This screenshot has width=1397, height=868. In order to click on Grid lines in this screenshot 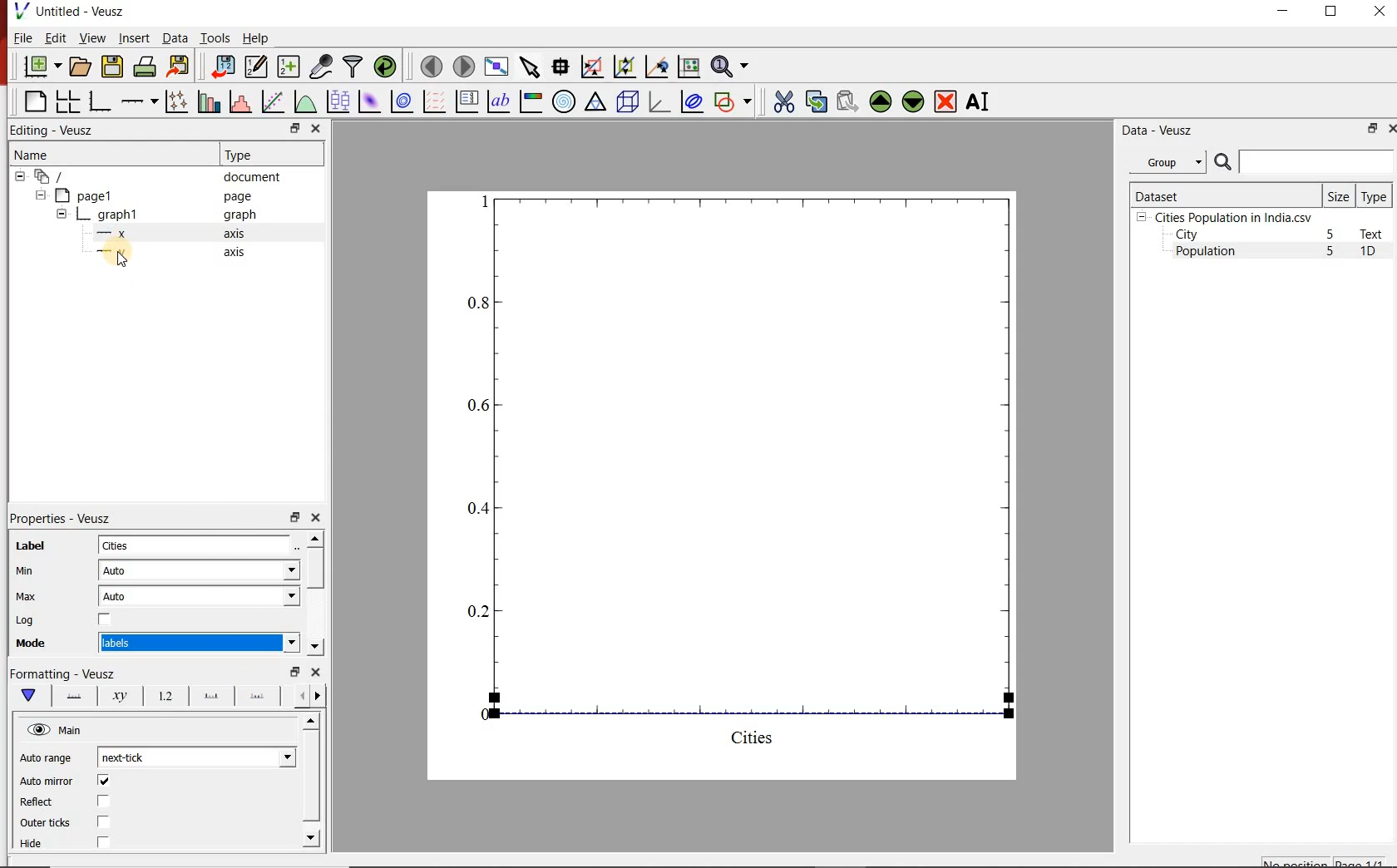, I will do `click(312, 695)`.